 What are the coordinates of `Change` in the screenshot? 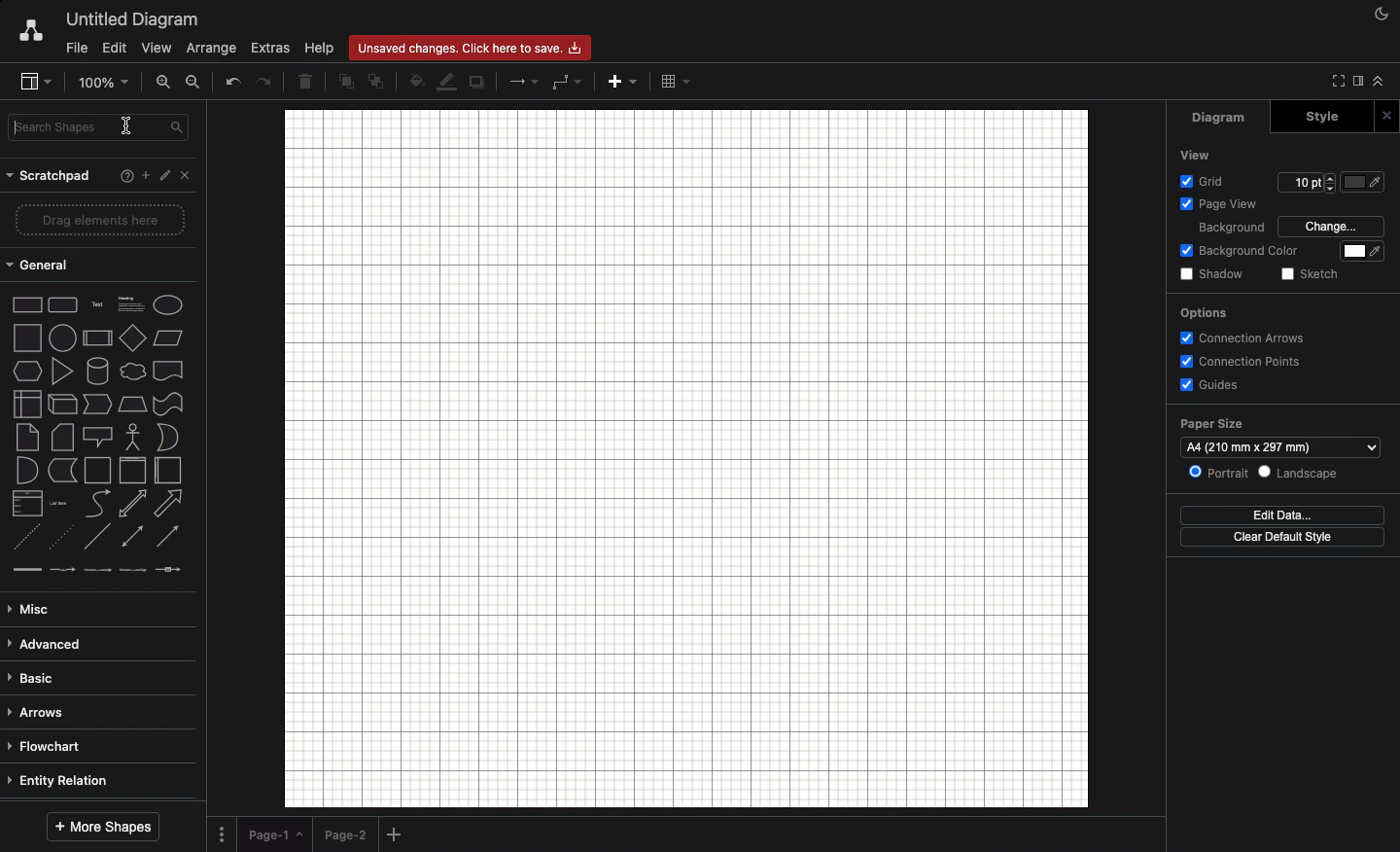 It's located at (1335, 227).